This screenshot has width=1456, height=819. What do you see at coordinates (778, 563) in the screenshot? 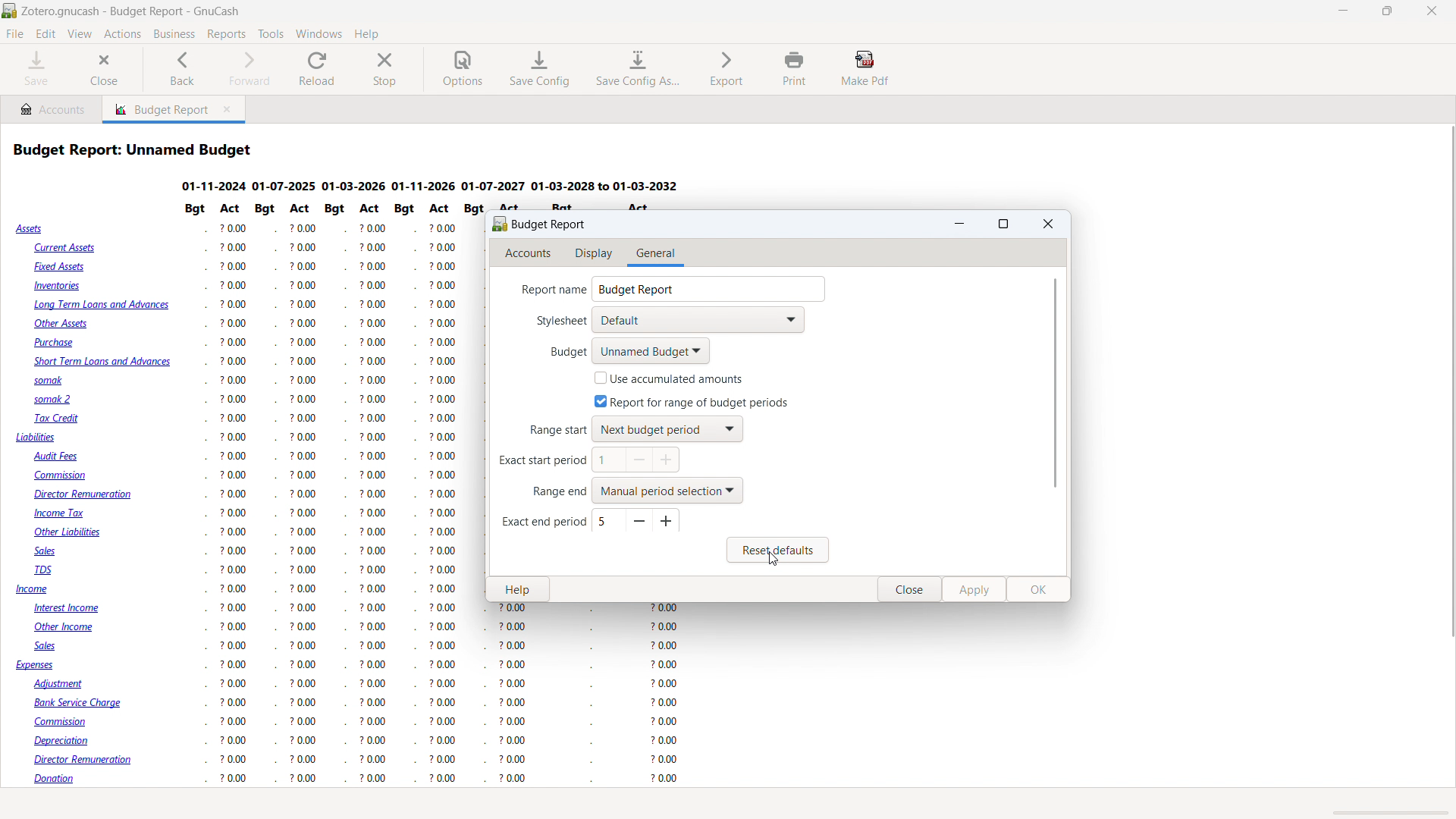
I see `cursor` at bounding box center [778, 563].